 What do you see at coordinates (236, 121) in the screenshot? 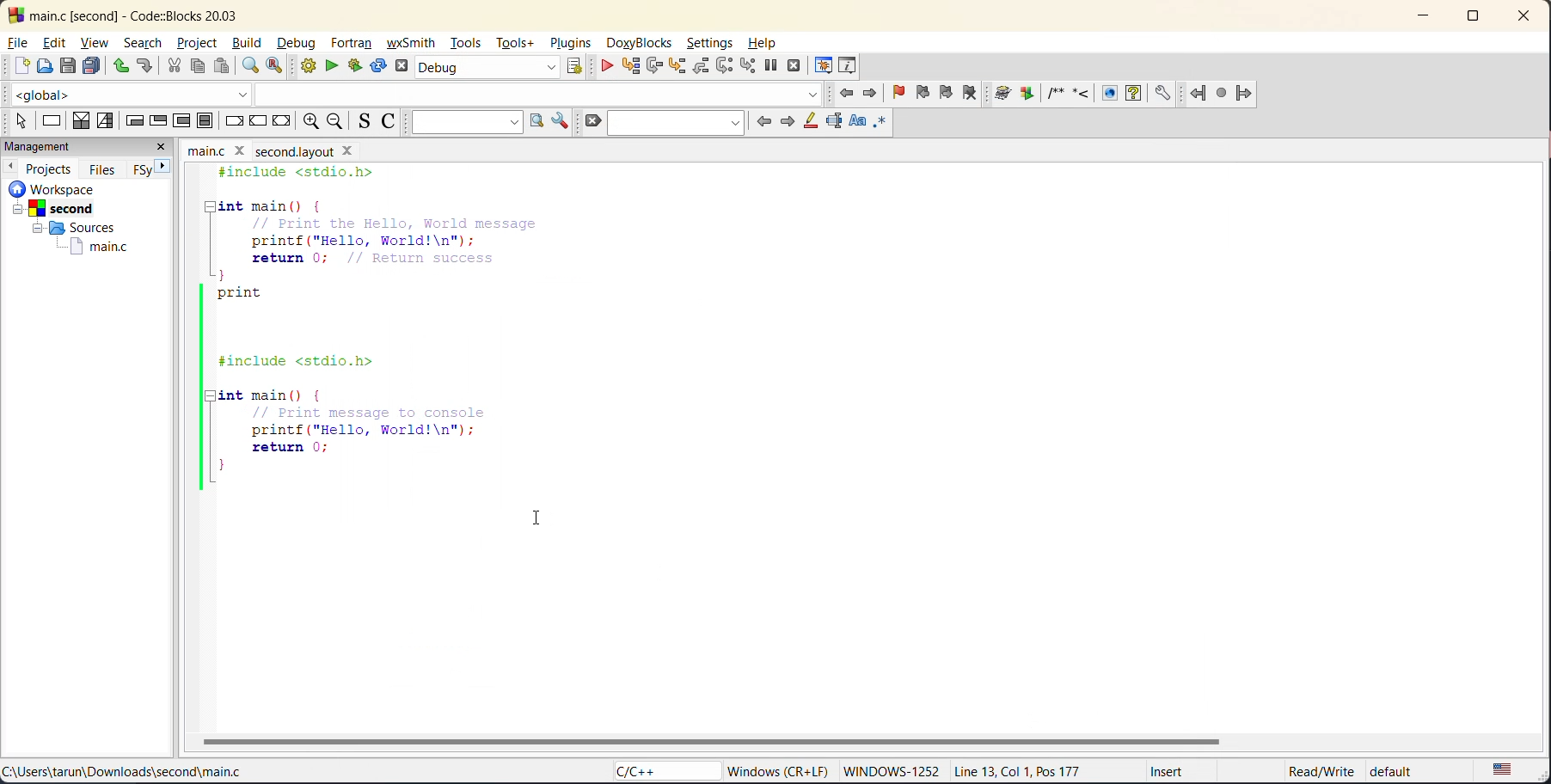
I see `break instruction` at bounding box center [236, 121].